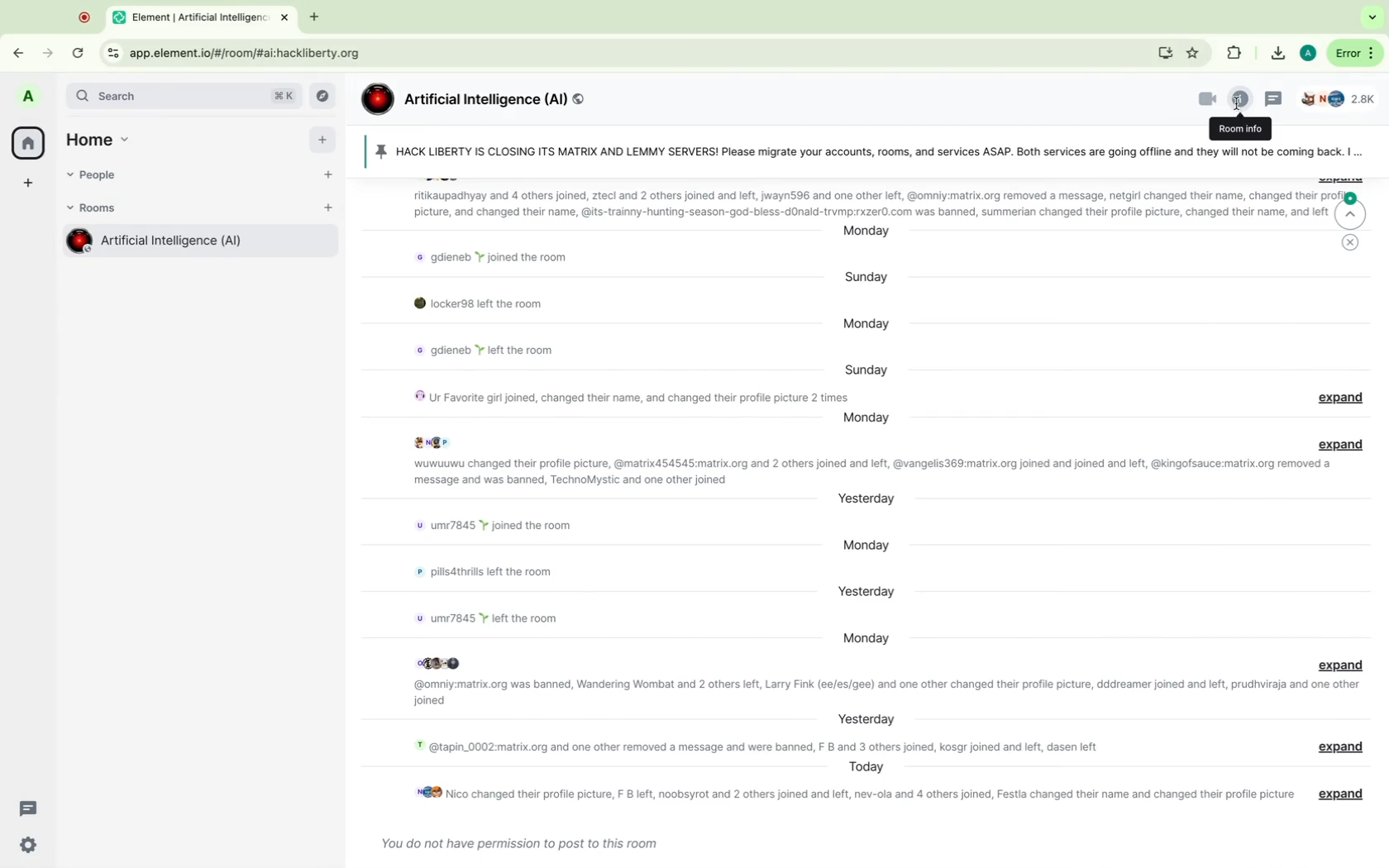 The width and height of the screenshot is (1389, 868). Describe the element at coordinates (1276, 98) in the screenshot. I see `threads` at that location.